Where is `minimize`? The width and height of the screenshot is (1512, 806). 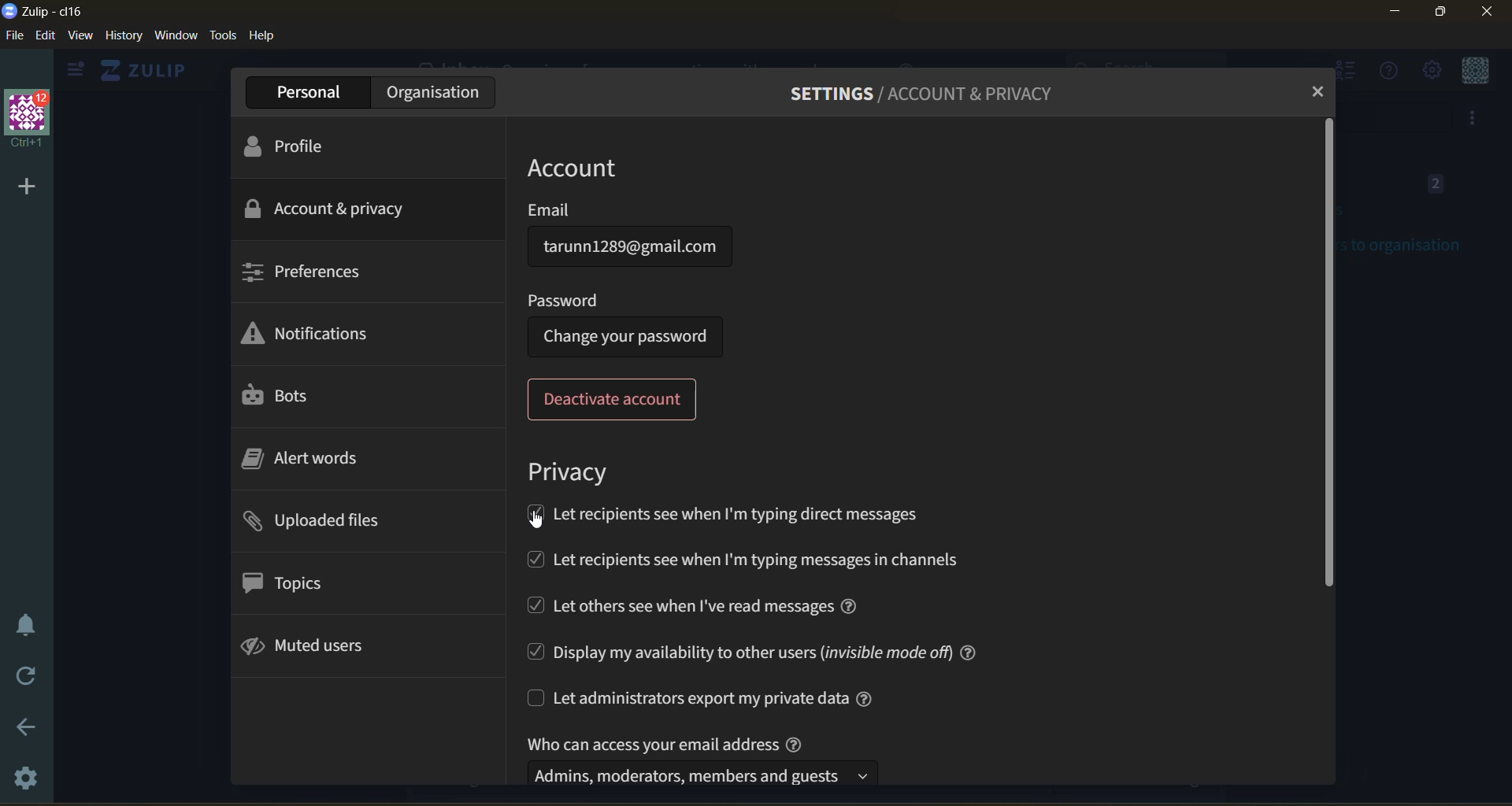
minimize is located at coordinates (1397, 14).